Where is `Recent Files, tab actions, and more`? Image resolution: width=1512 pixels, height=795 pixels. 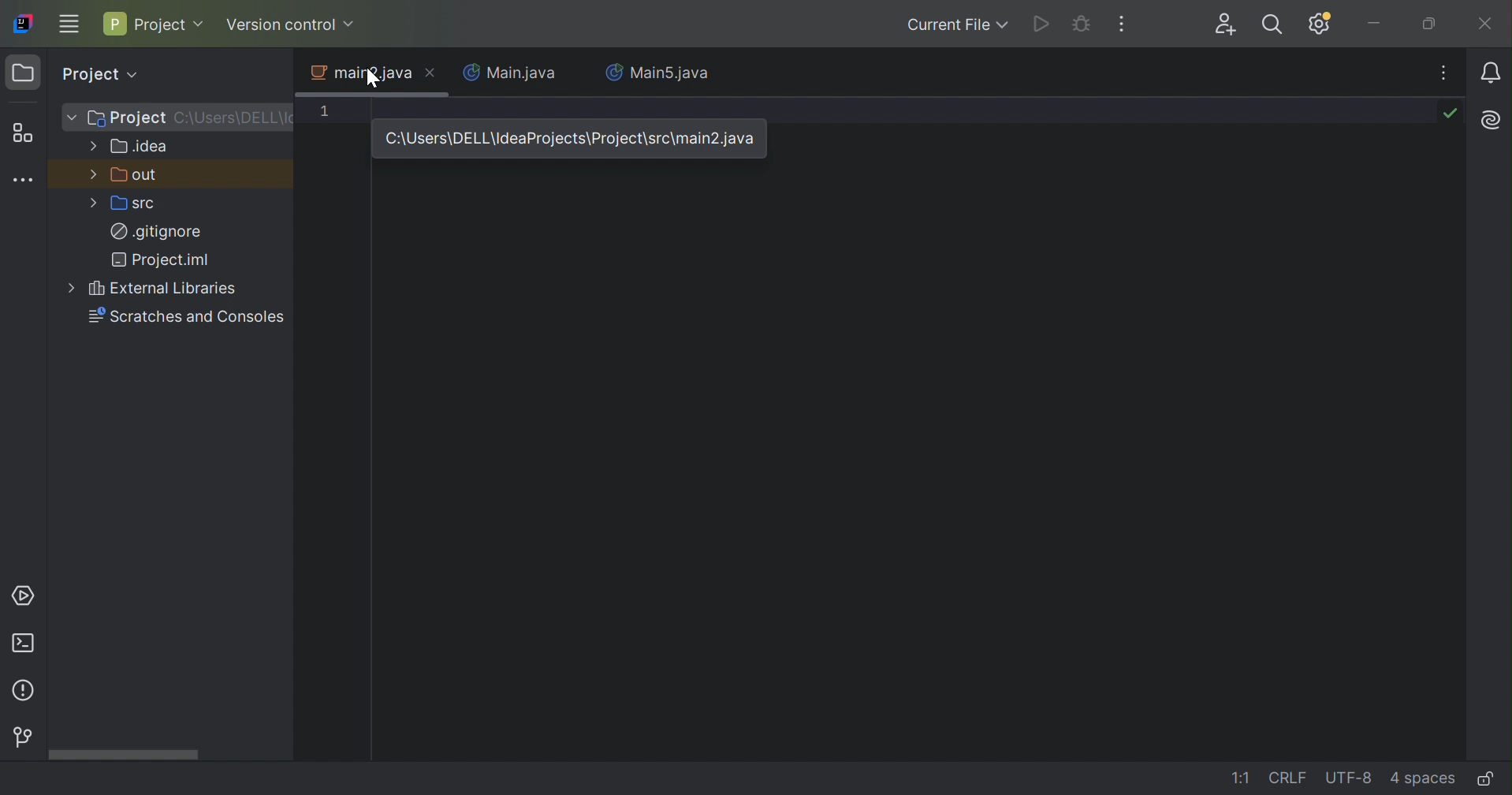
Recent Files, tab actions, and more is located at coordinates (1445, 74).